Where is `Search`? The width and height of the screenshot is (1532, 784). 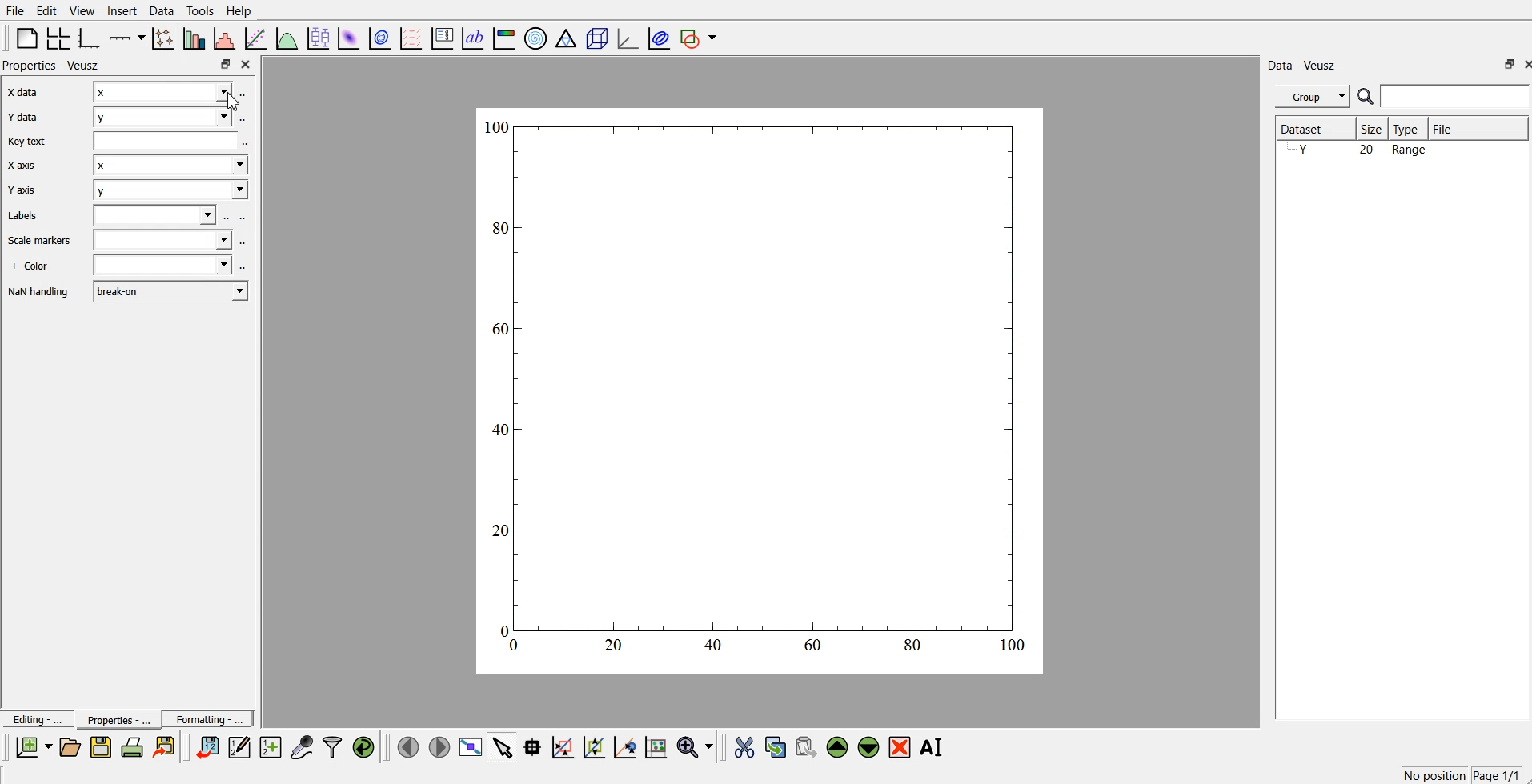
Search is located at coordinates (1444, 97).